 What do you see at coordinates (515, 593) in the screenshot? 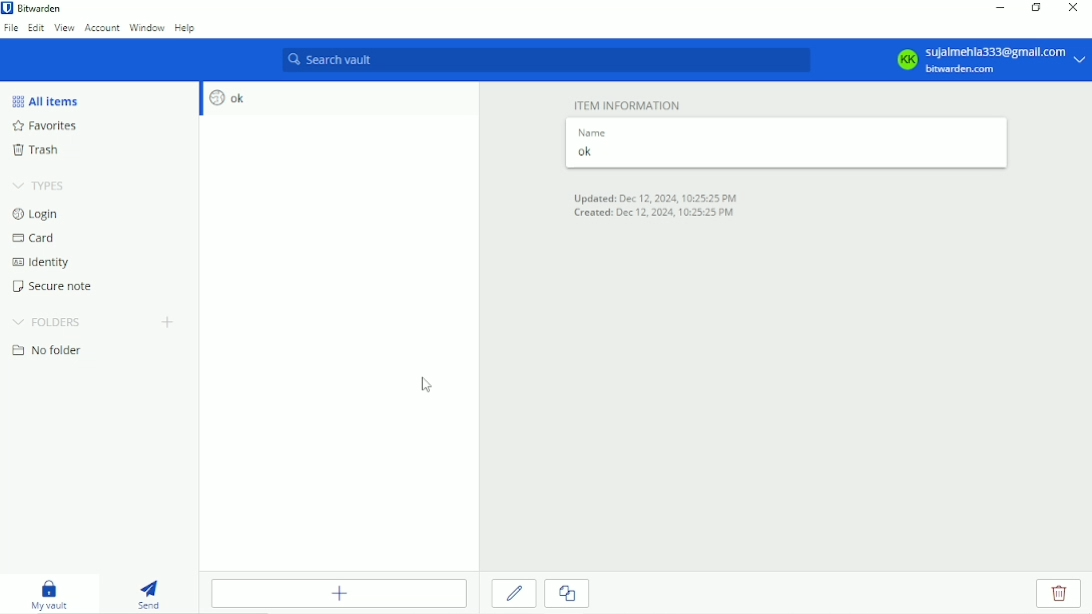
I see `Edit` at bounding box center [515, 593].